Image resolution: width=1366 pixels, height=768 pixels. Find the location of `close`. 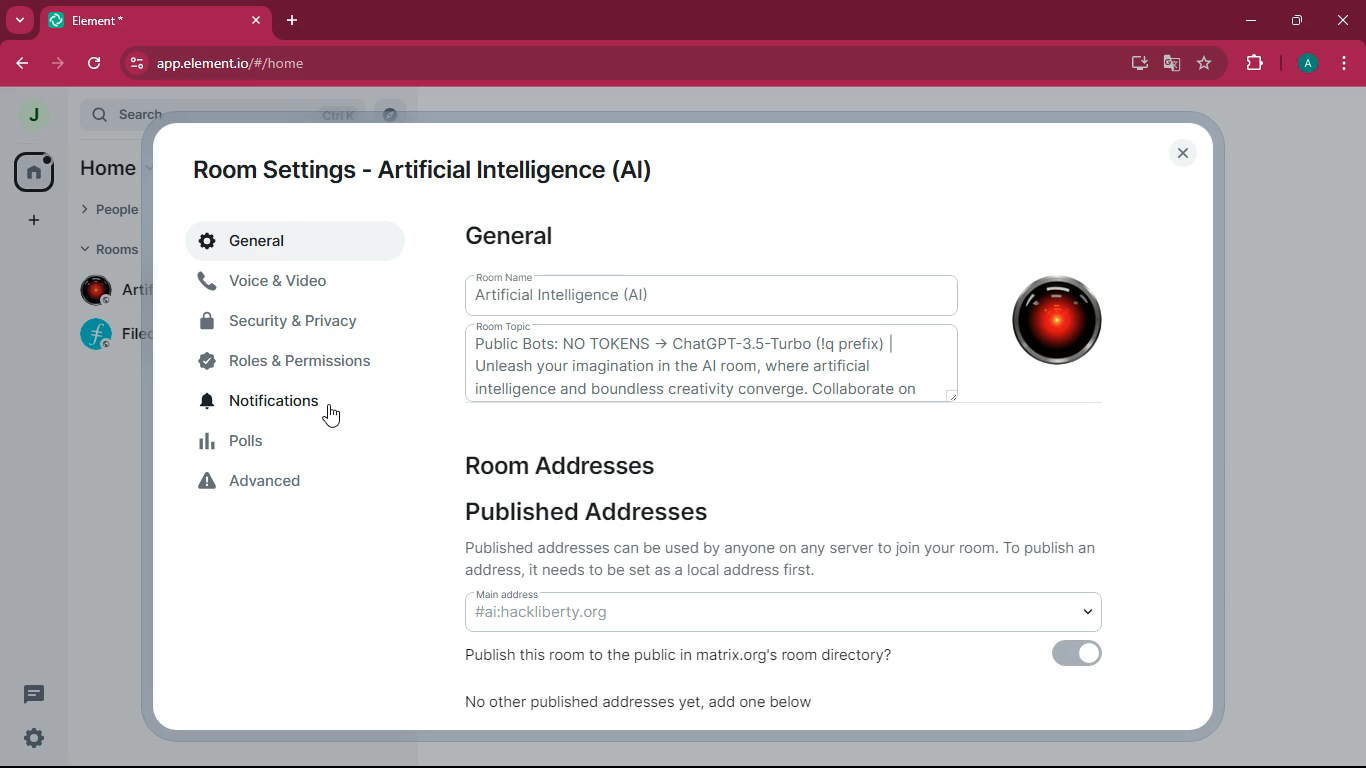

close is located at coordinates (1343, 21).